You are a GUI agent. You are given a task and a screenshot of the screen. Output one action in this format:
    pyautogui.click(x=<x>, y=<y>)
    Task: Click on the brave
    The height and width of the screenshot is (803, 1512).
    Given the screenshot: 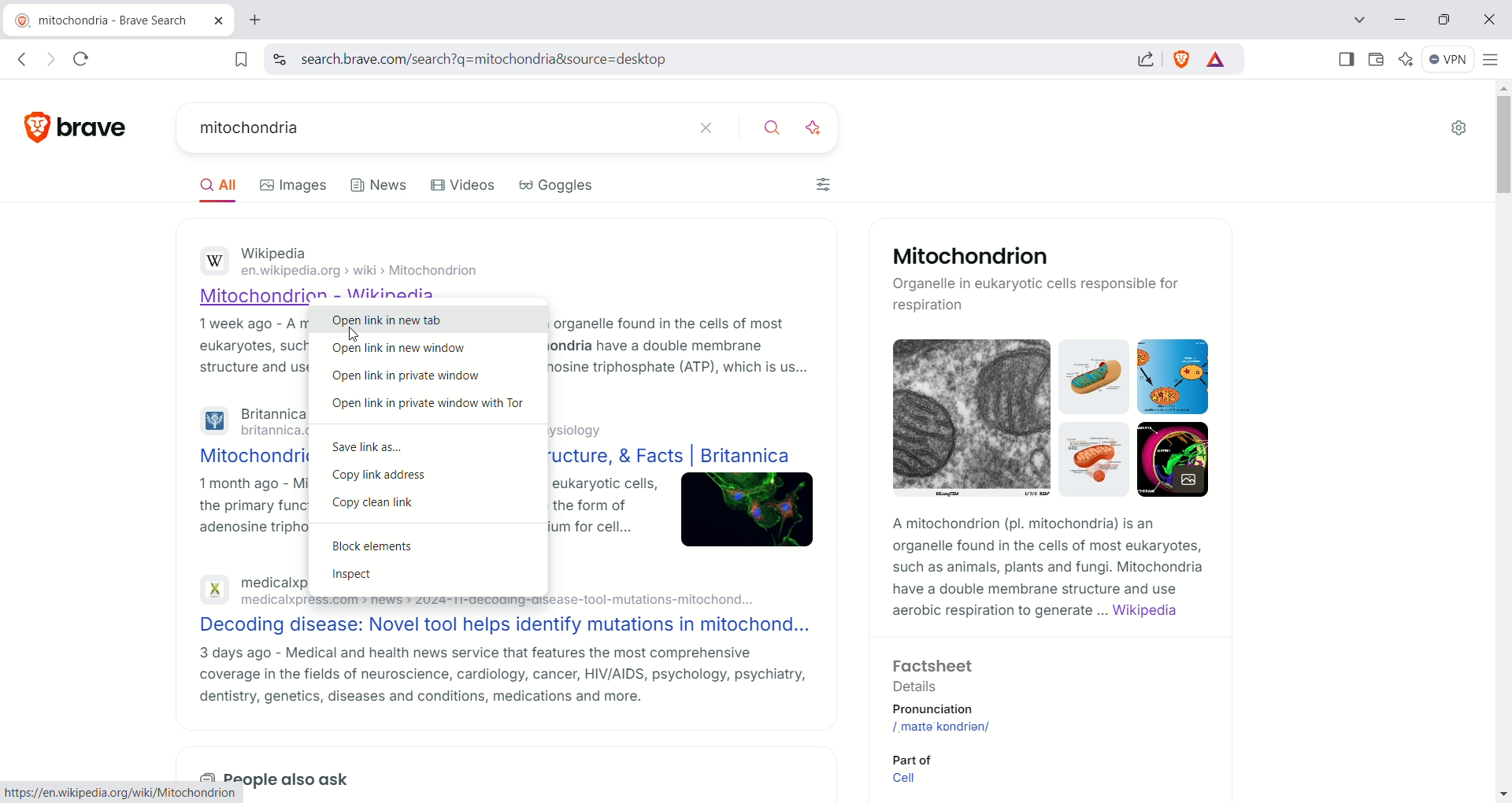 What is the action you would take?
    pyautogui.click(x=98, y=127)
    